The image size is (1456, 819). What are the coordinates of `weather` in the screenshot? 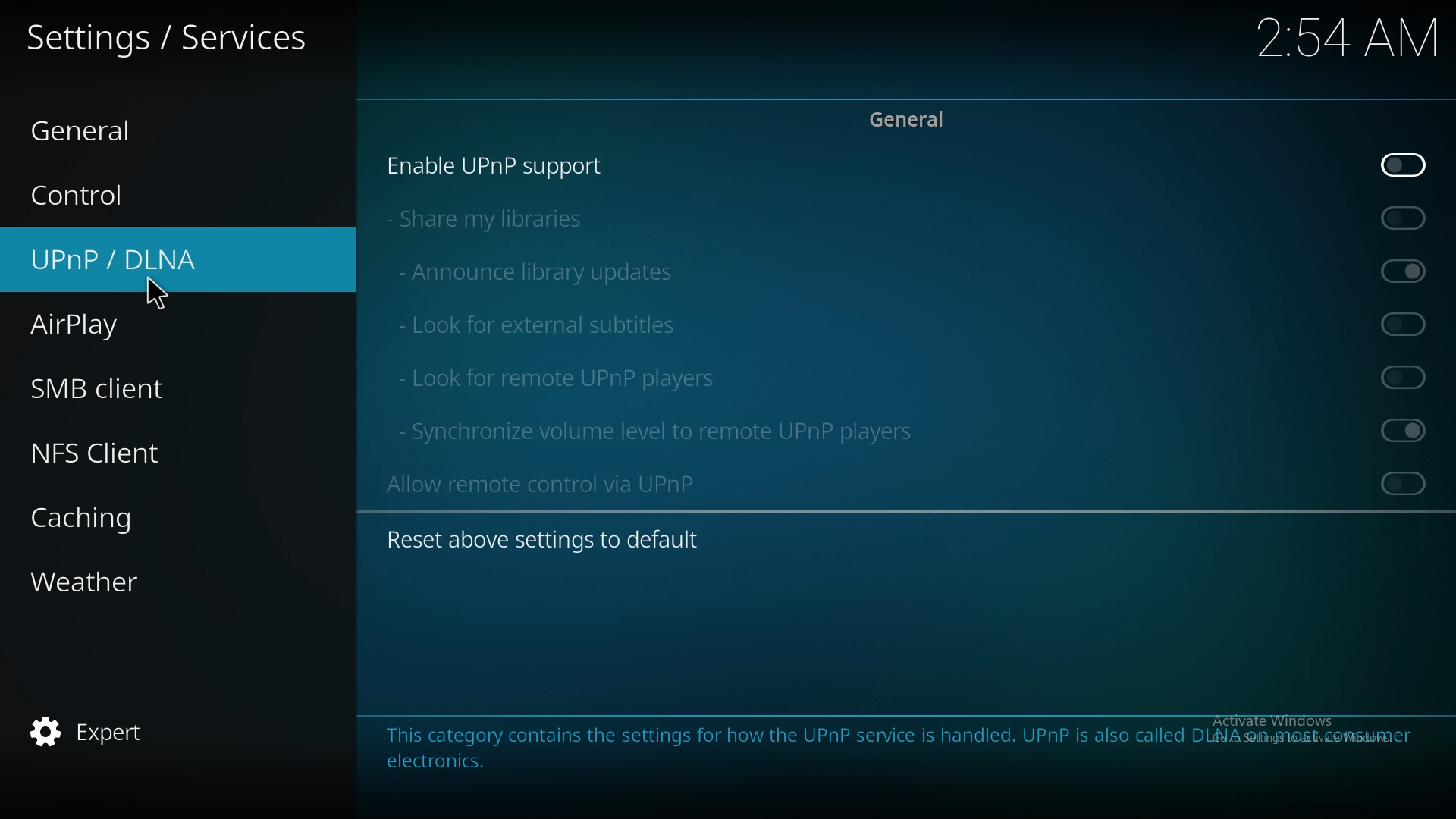 It's located at (110, 580).